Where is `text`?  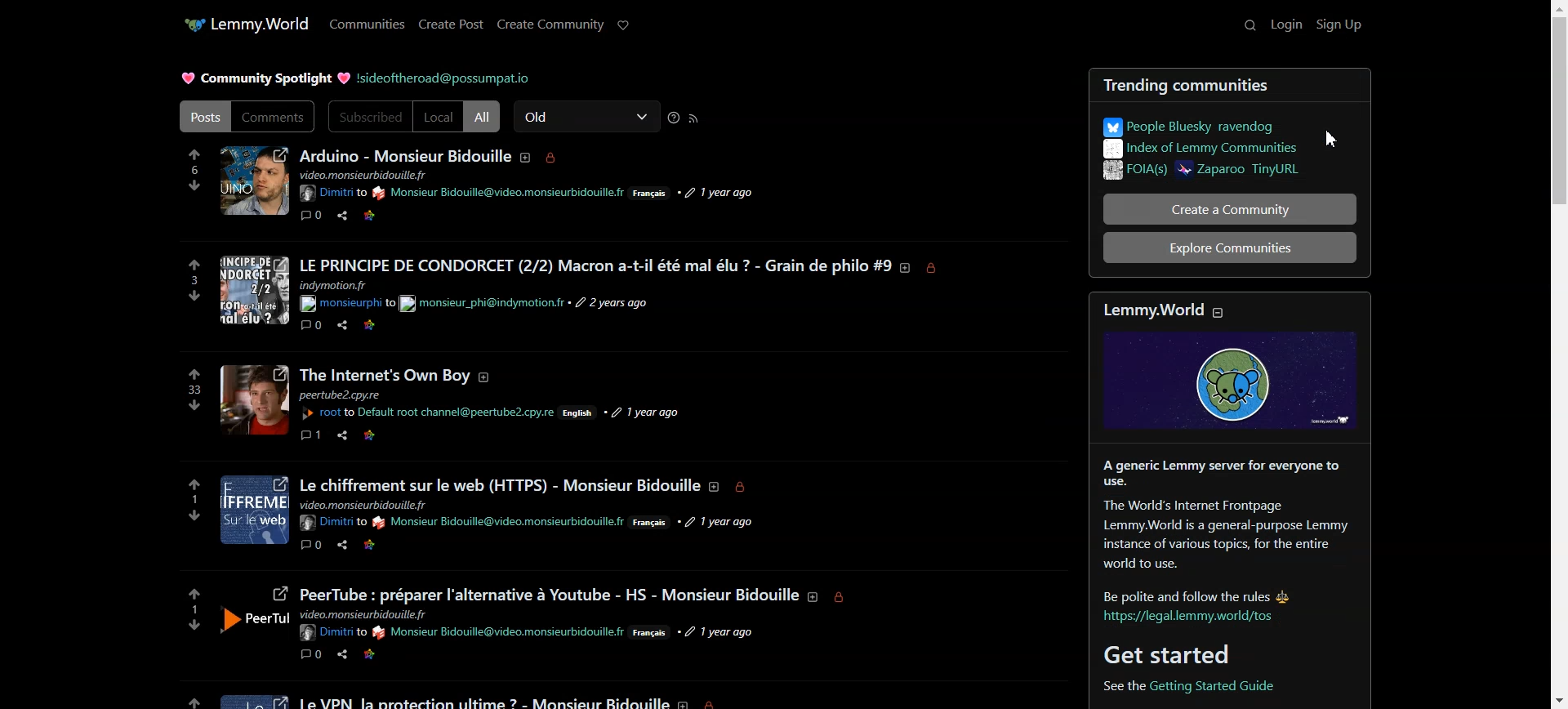
text is located at coordinates (499, 480).